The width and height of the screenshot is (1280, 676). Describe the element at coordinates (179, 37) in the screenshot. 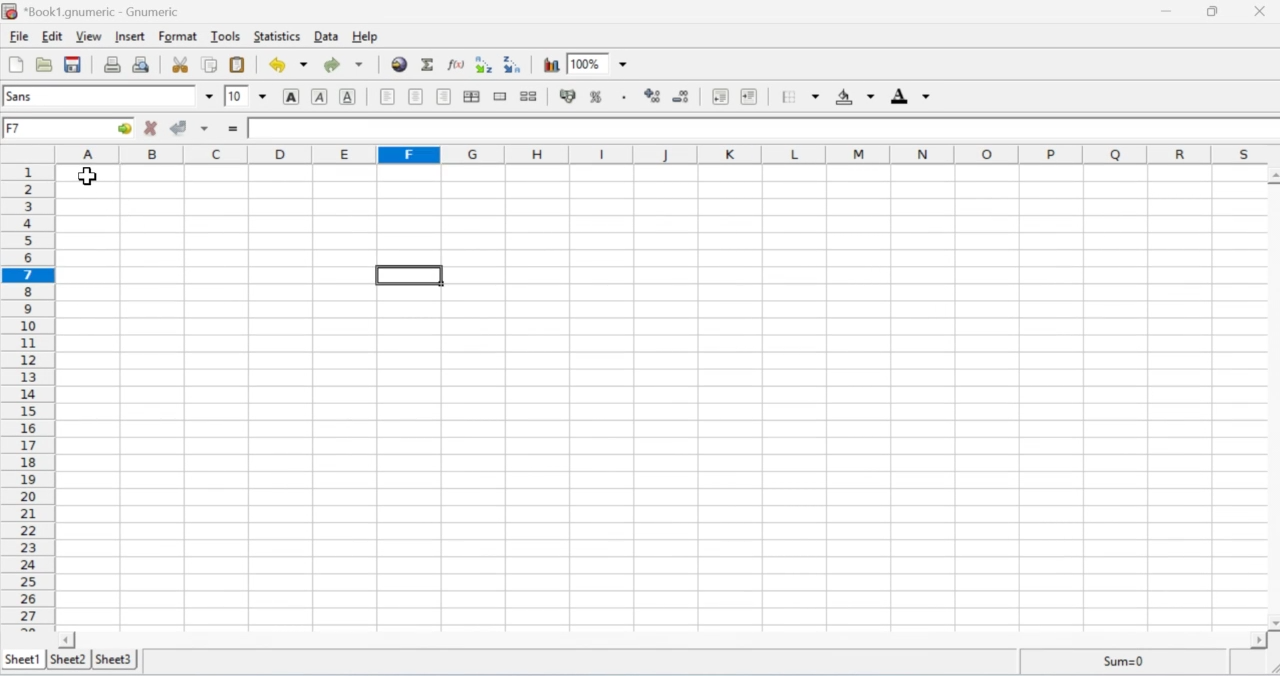

I see `Format` at that location.